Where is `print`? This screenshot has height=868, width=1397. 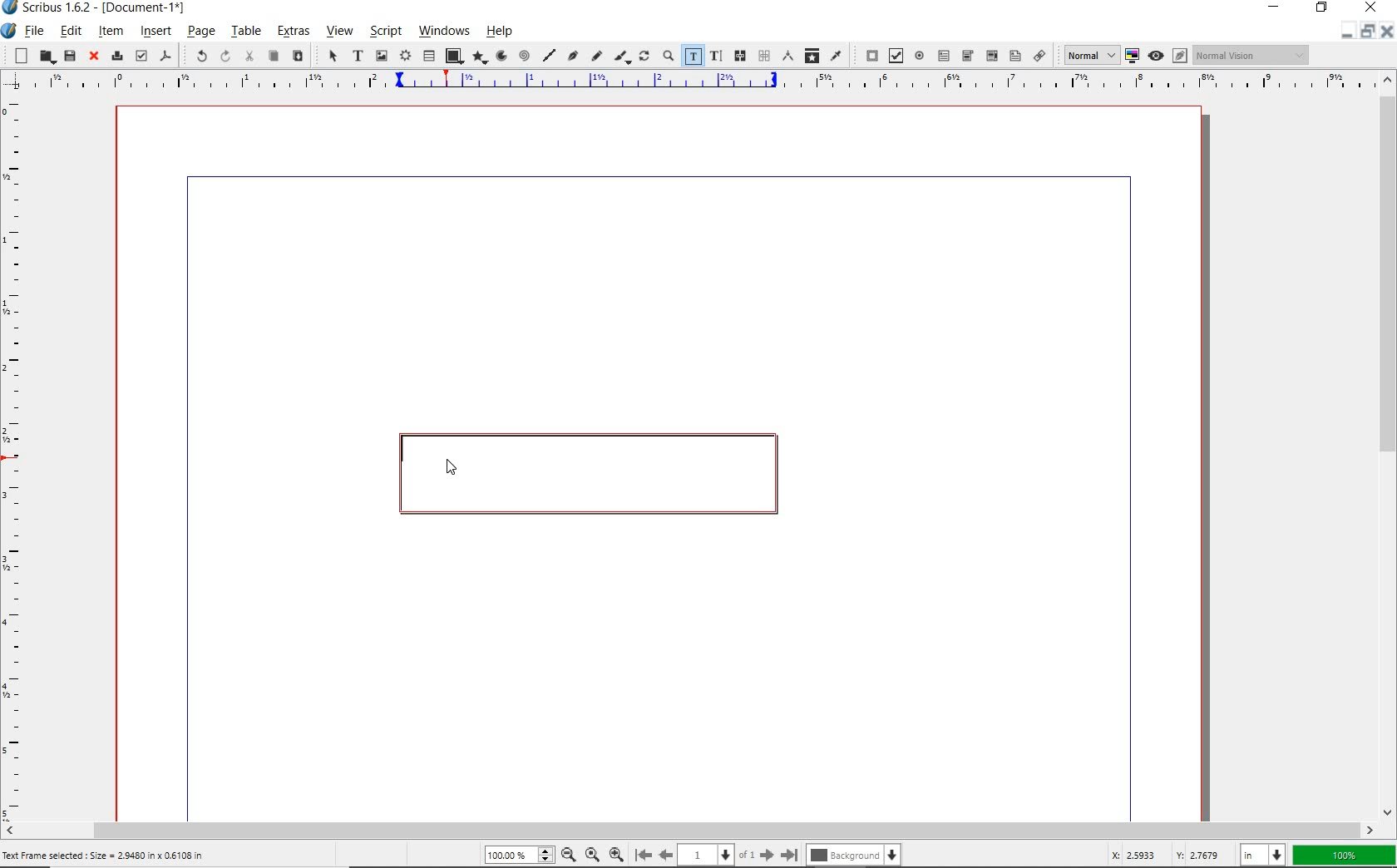 print is located at coordinates (116, 55).